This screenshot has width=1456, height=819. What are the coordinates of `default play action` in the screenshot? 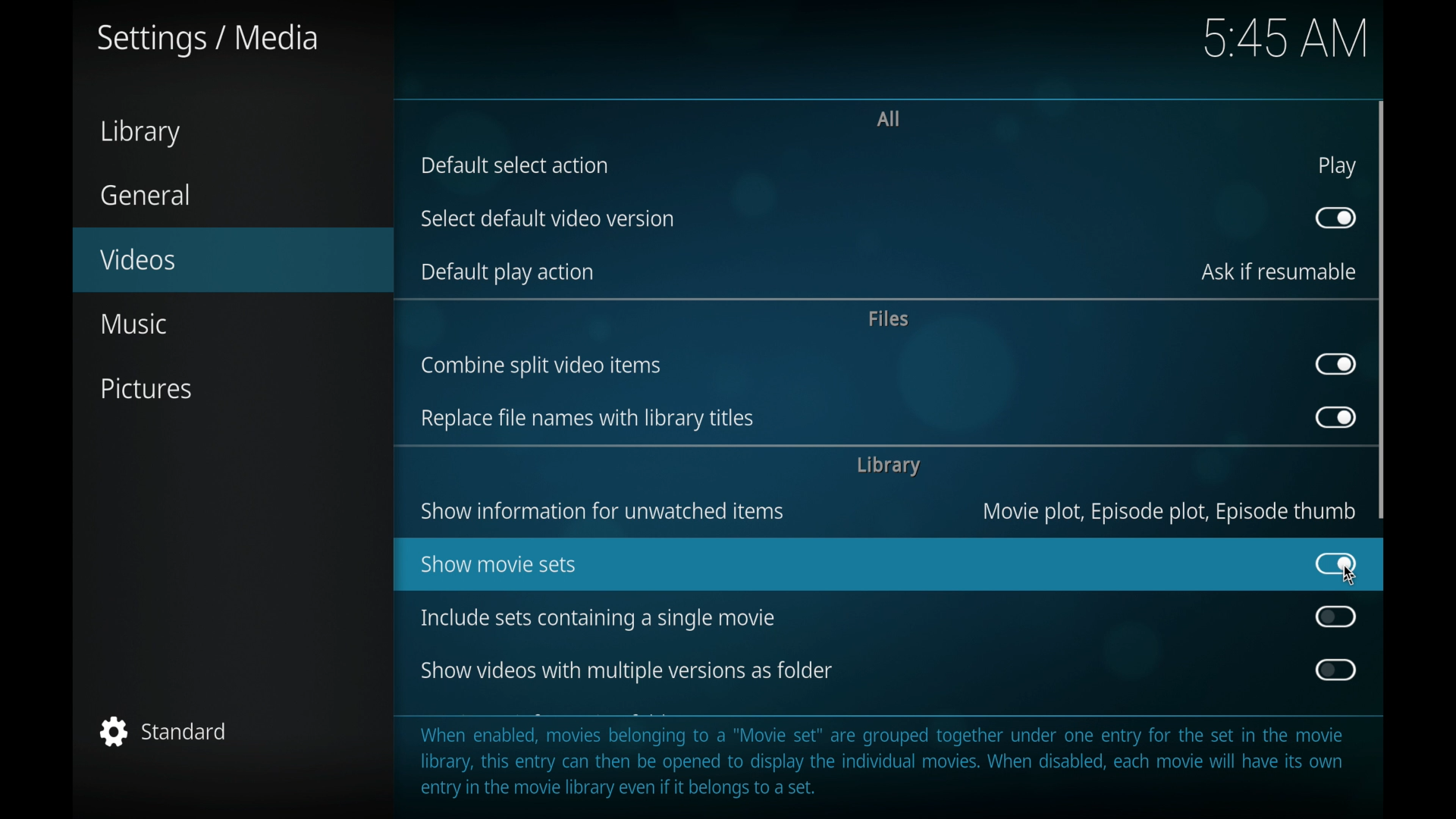 It's located at (506, 273).